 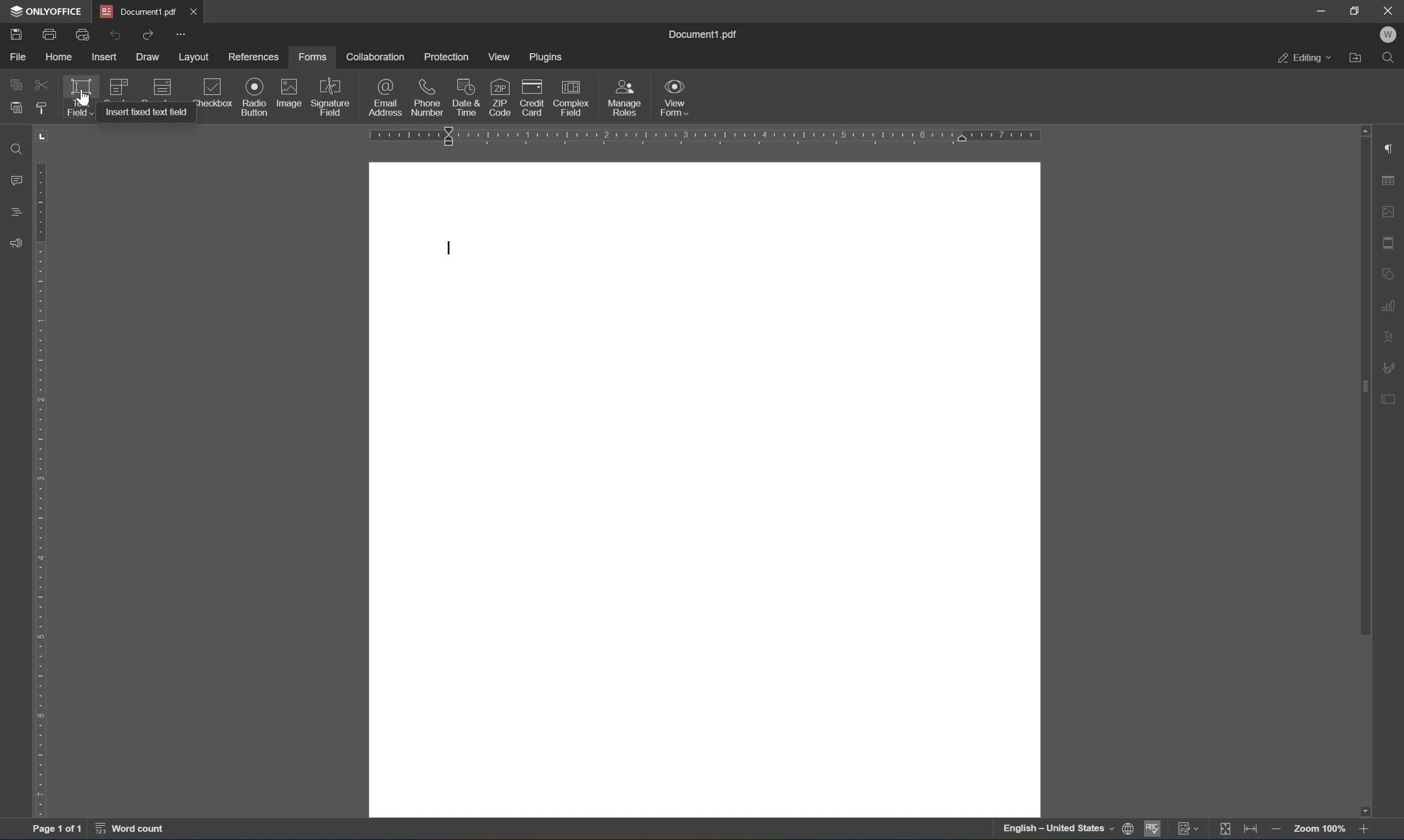 What do you see at coordinates (1388, 273) in the screenshot?
I see `shape settings` at bounding box center [1388, 273].